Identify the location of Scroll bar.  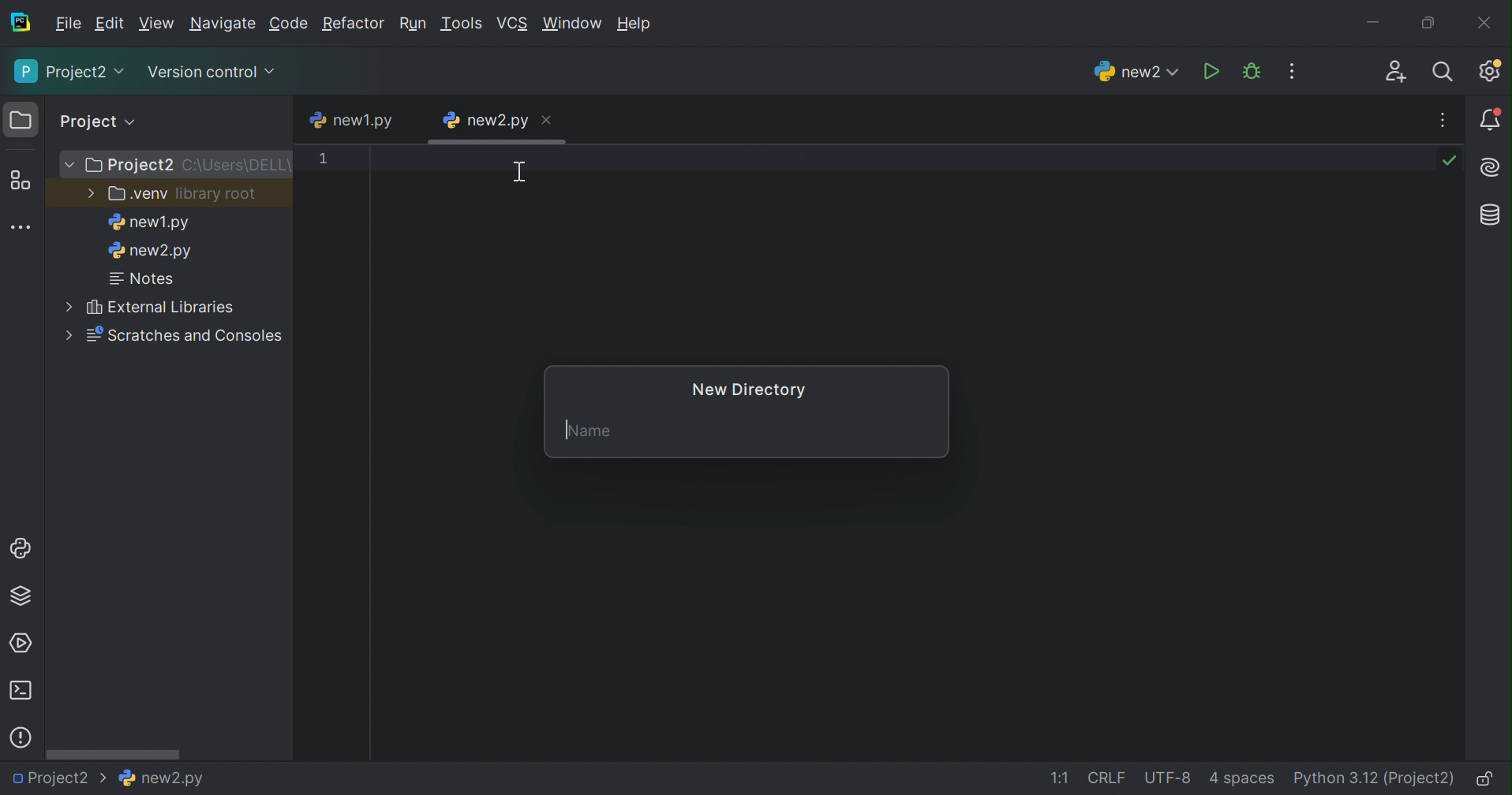
(115, 753).